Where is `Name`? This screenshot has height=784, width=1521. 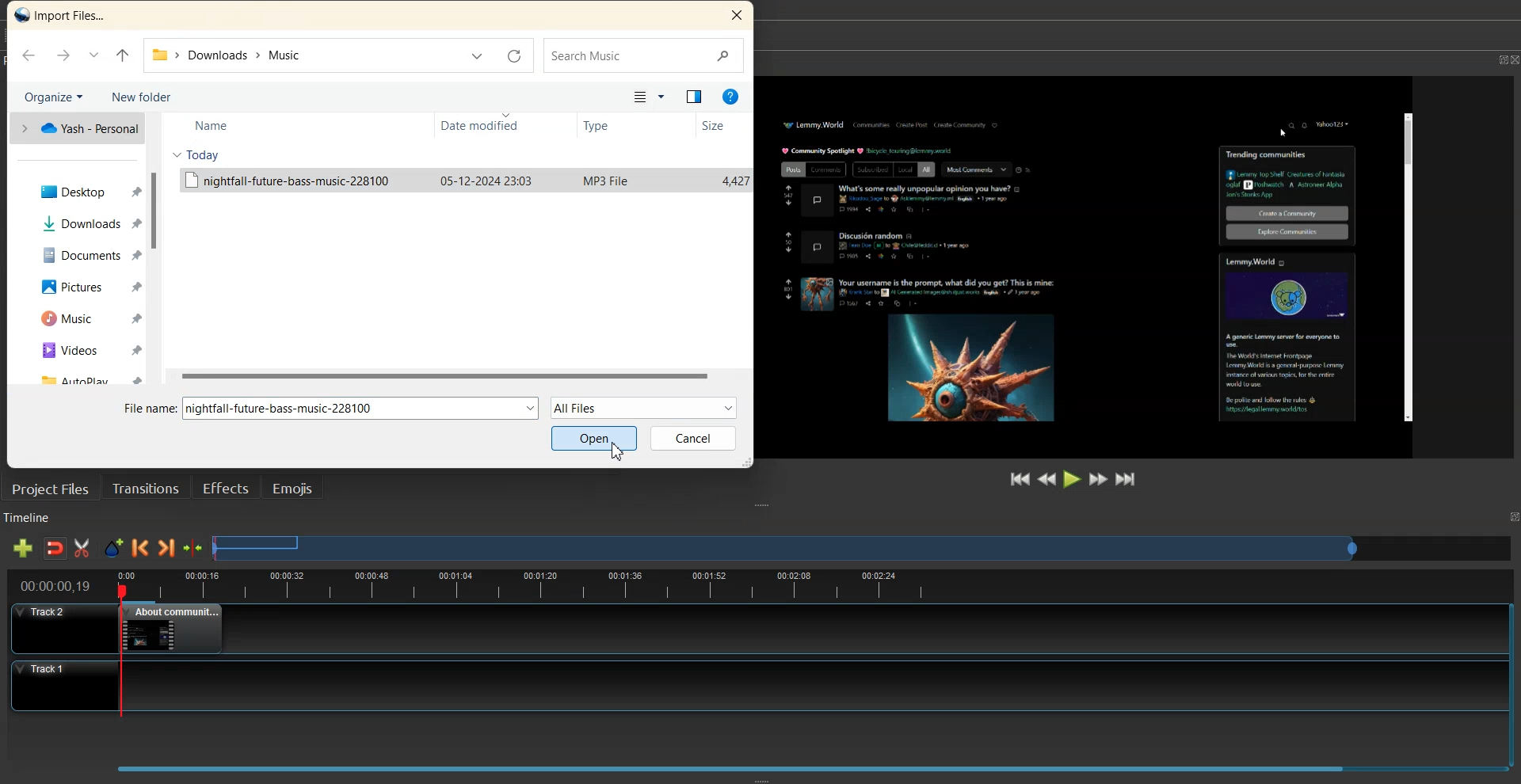
Name is located at coordinates (238, 124).